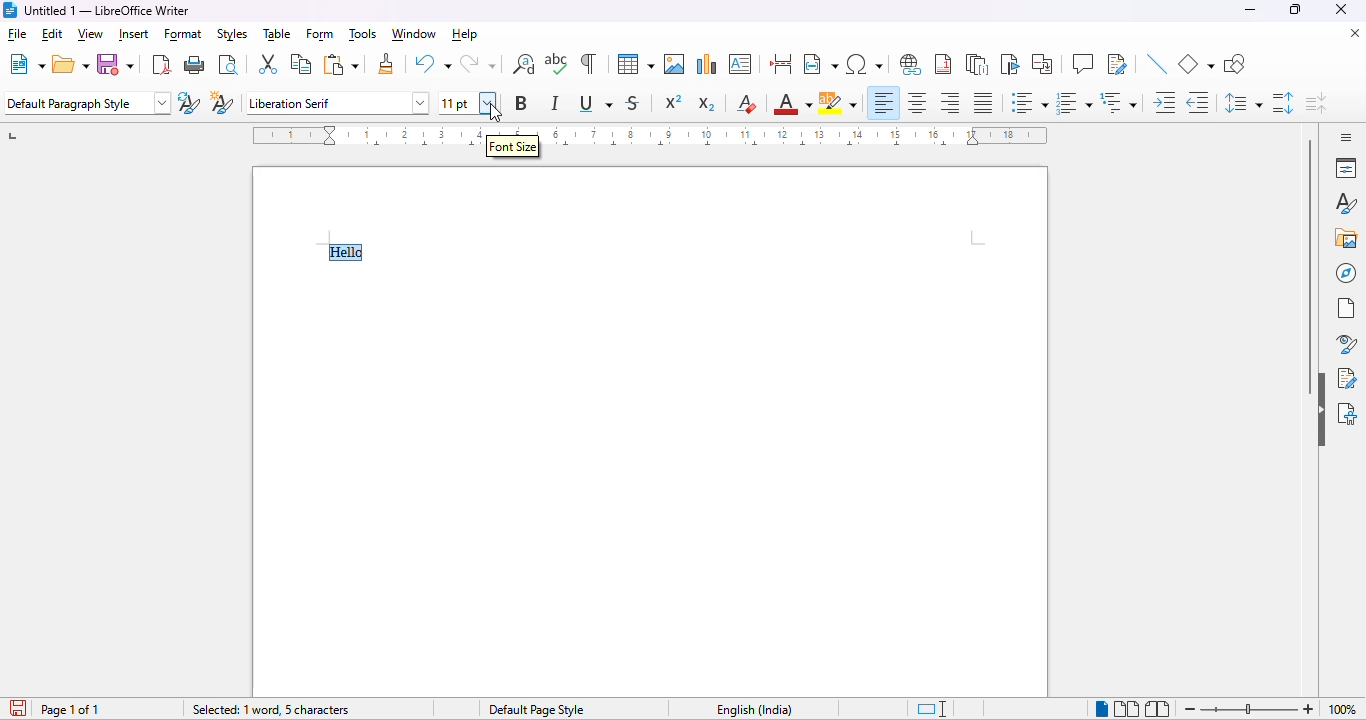 The height and width of the screenshot is (720, 1366). I want to click on view, so click(91, 34).